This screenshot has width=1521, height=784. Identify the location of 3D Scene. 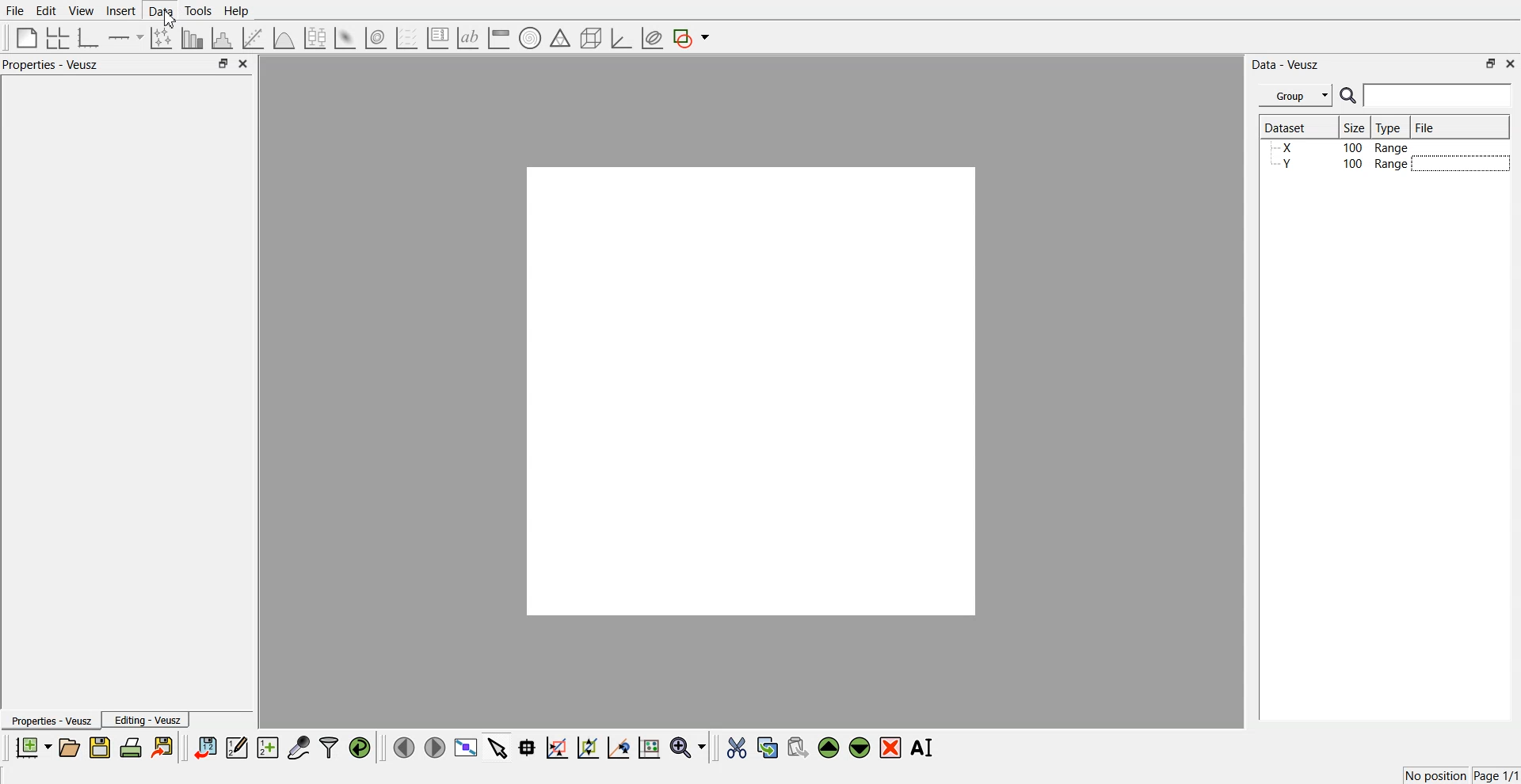
(592, 39).